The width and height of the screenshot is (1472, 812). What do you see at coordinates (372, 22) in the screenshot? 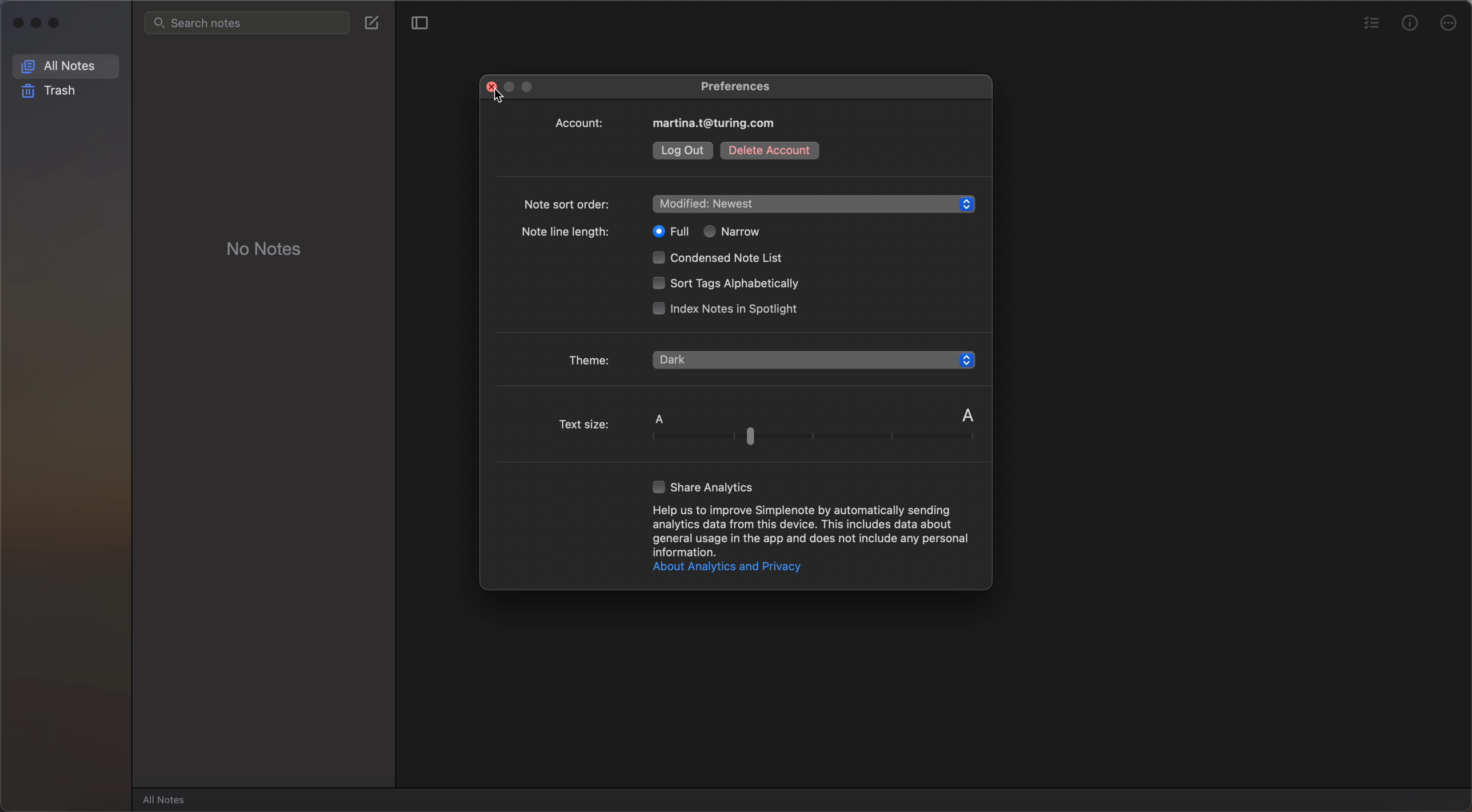
I see `create note` at bounding box center [372, 22].